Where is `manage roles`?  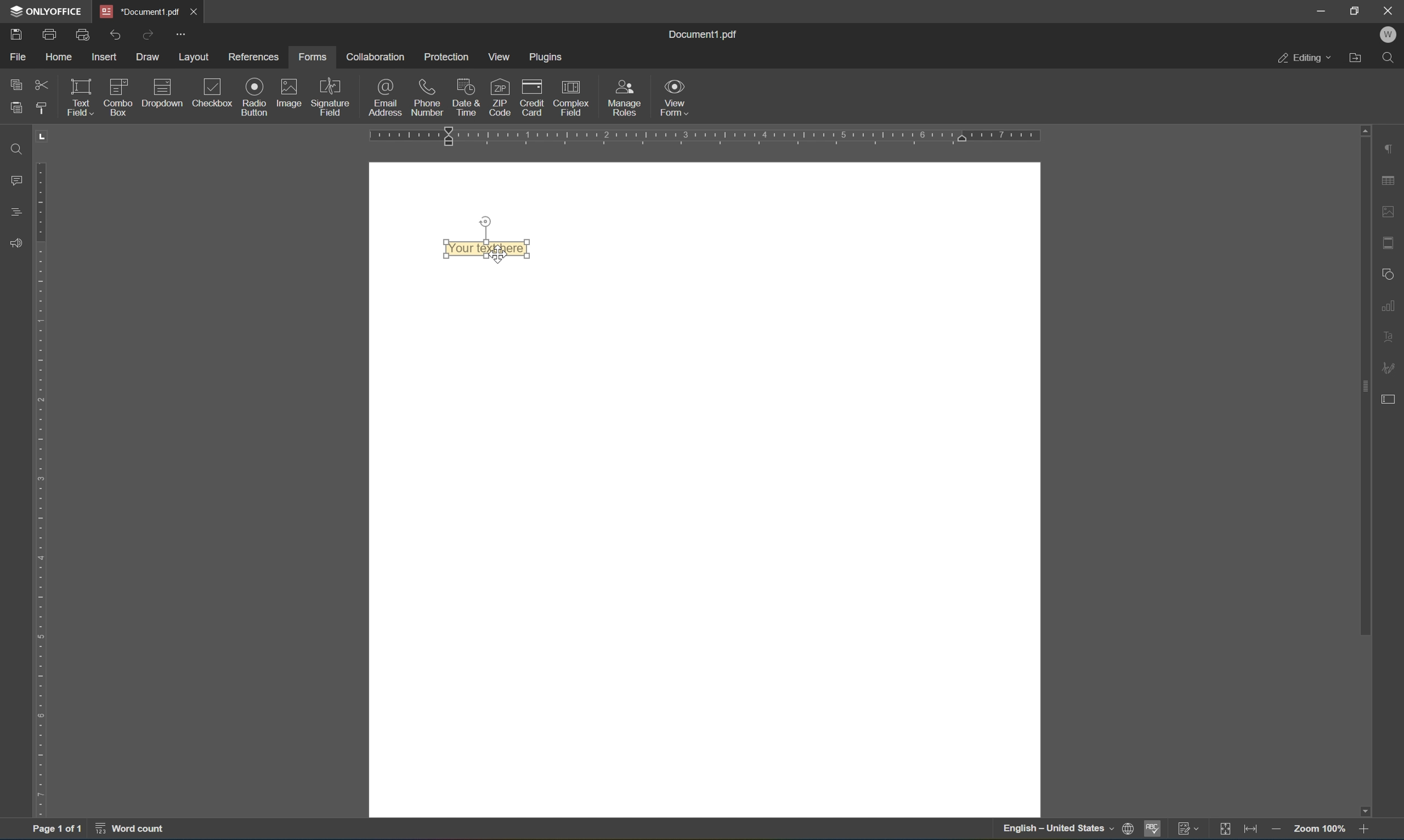 manage roles is located at coordinates (625, 97).